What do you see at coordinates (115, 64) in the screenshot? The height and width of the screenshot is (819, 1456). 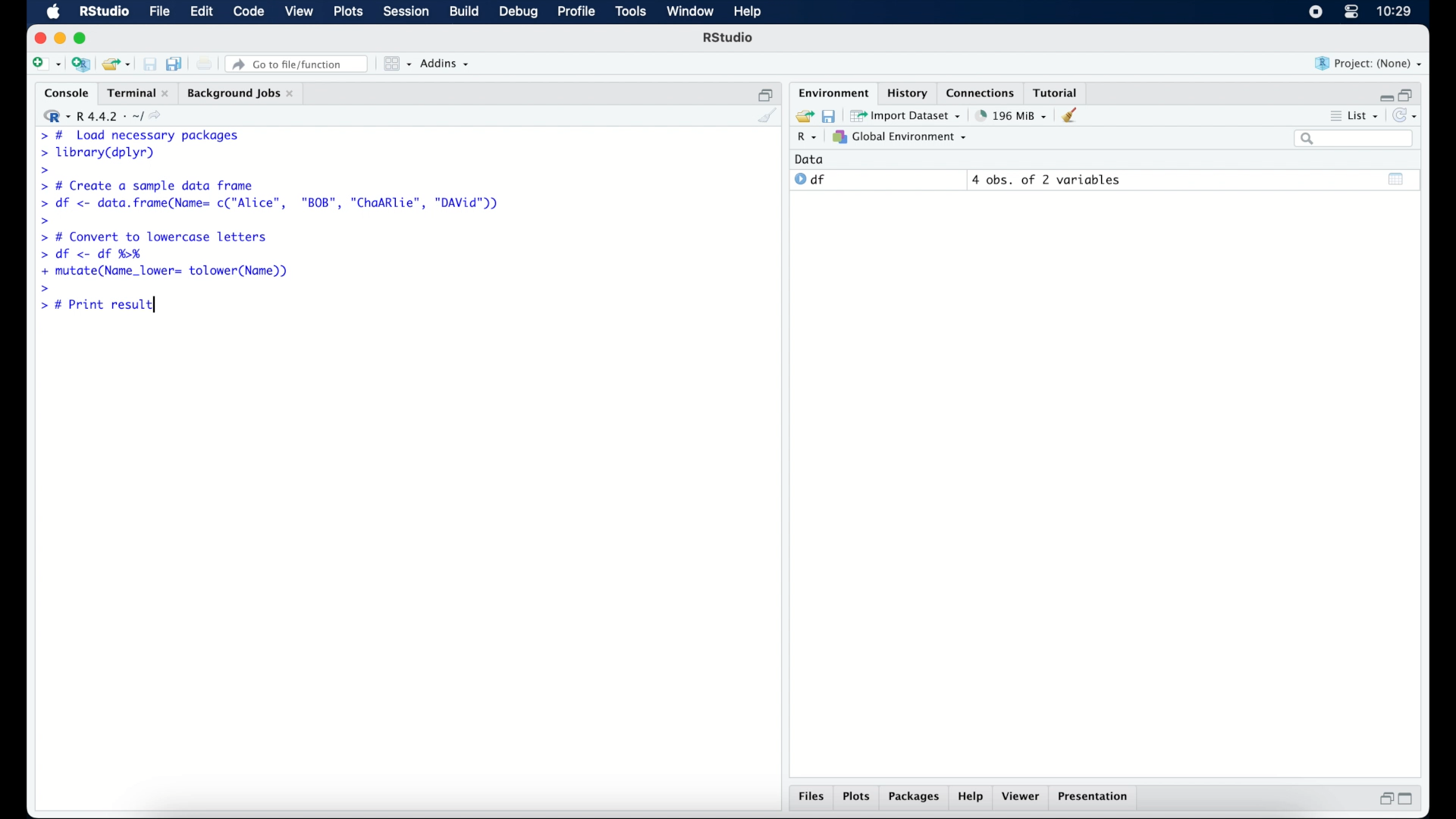 I see `load existing project` at bounding box center [115, 64].